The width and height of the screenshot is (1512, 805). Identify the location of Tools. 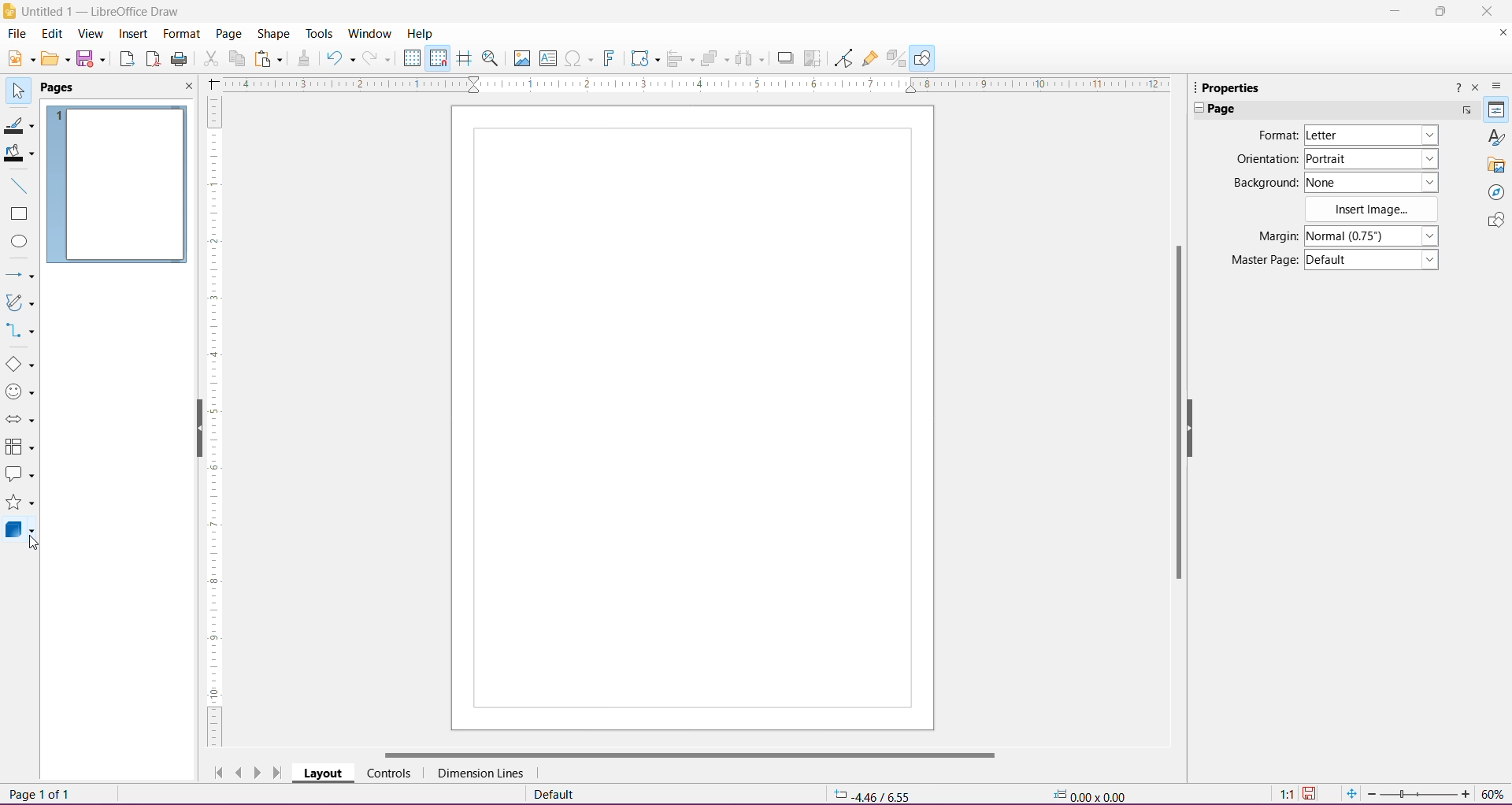
(321, 34).